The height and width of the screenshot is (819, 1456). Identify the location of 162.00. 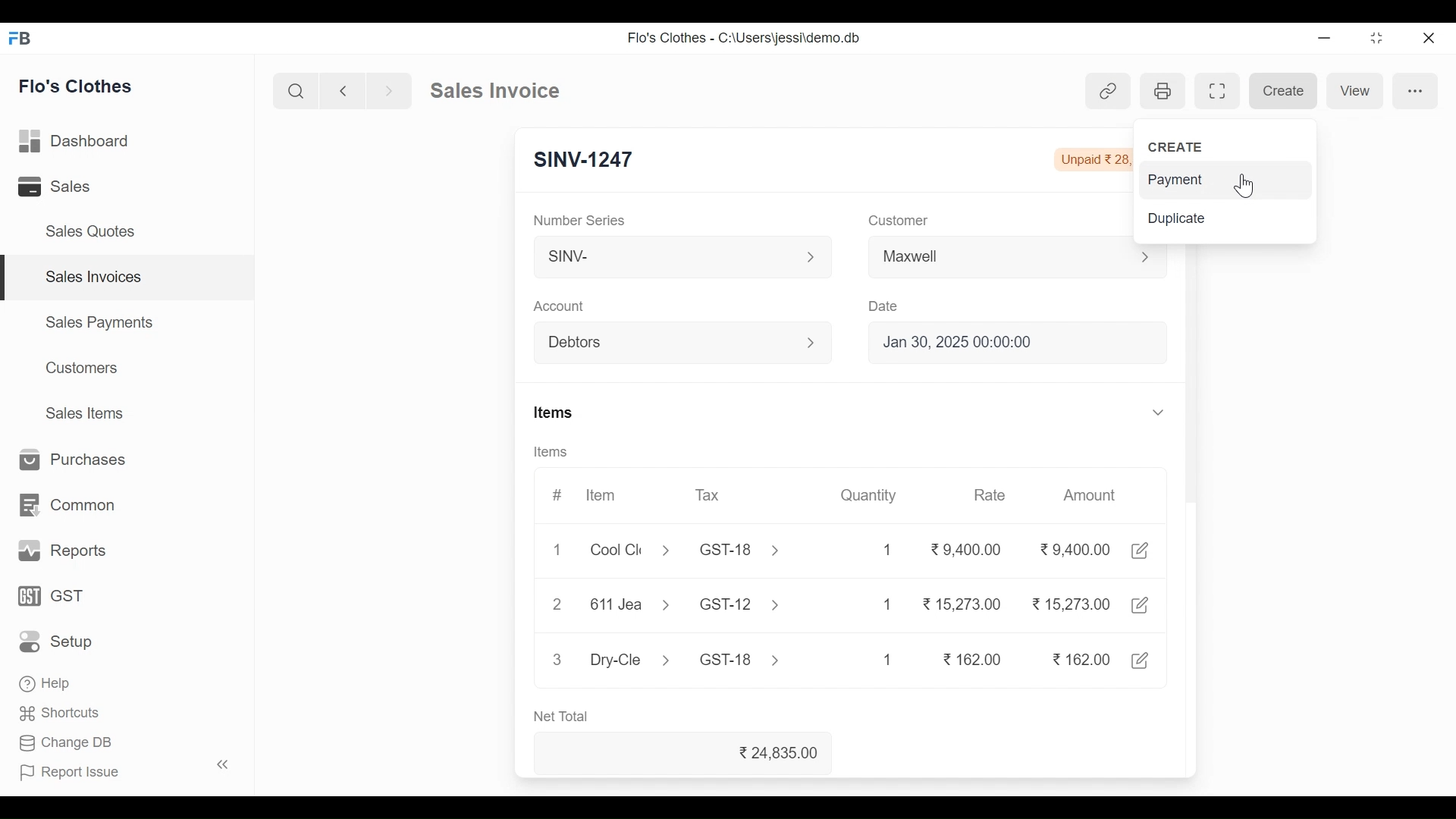
(1079, 658).